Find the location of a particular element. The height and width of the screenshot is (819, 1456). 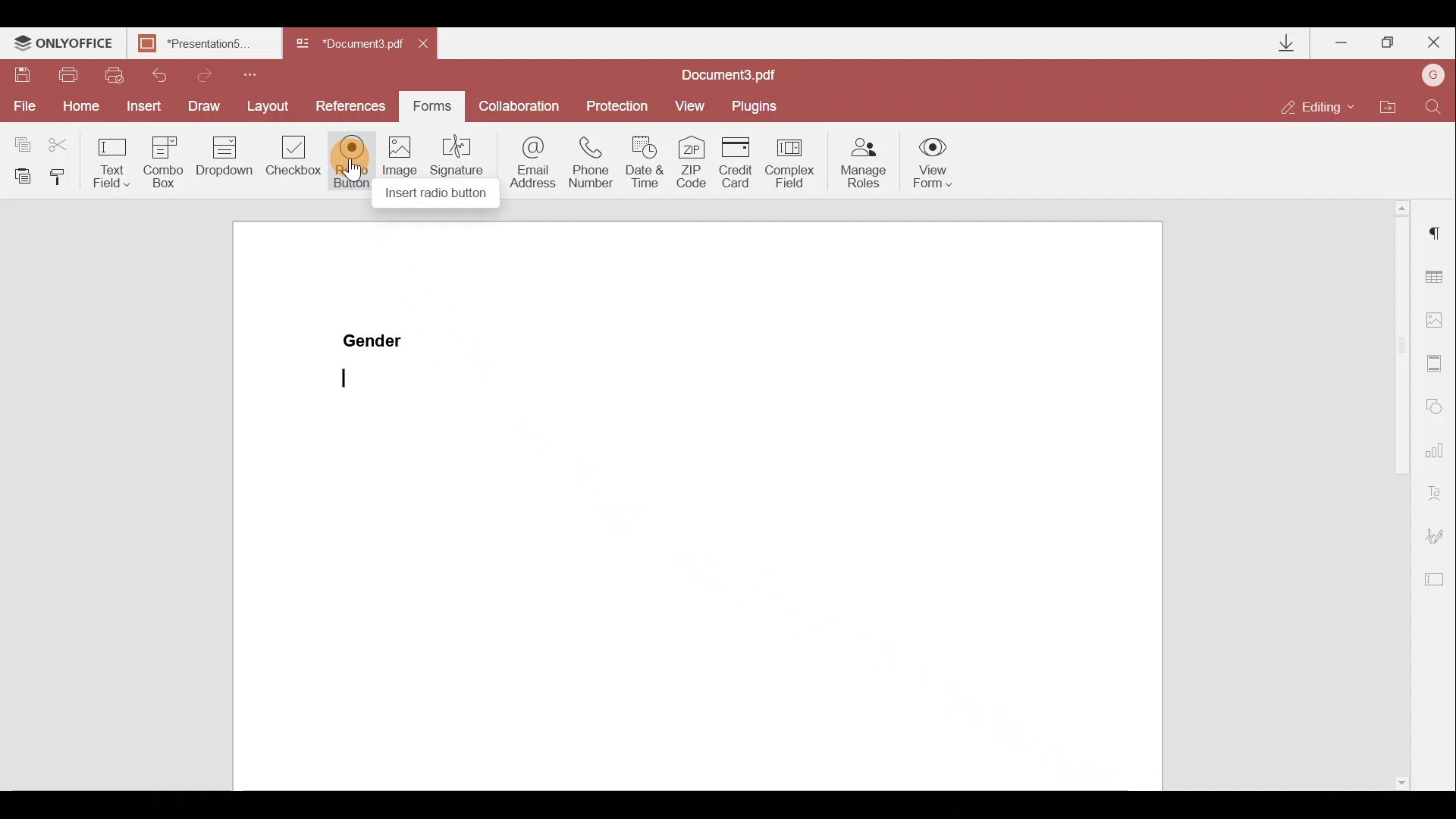

Shapes settings is located at coordinates (1438, 408).